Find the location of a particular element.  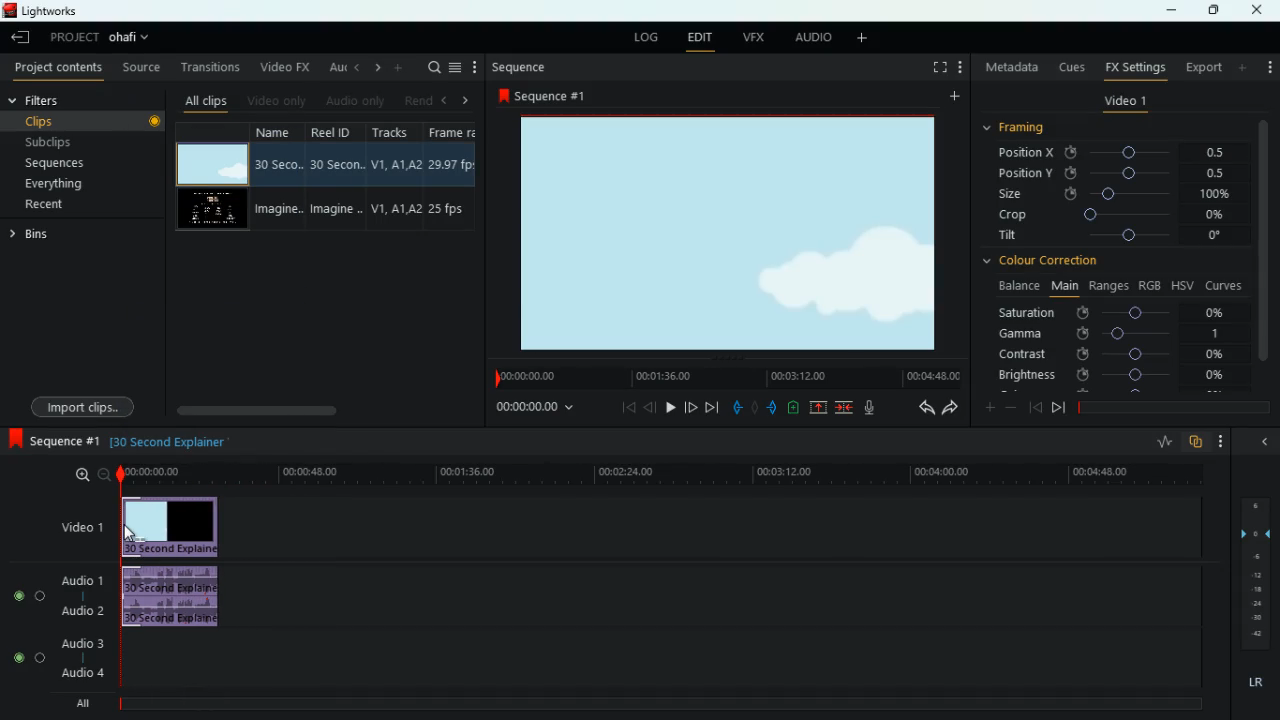

audio 4 is located at coordinates (80, 675).